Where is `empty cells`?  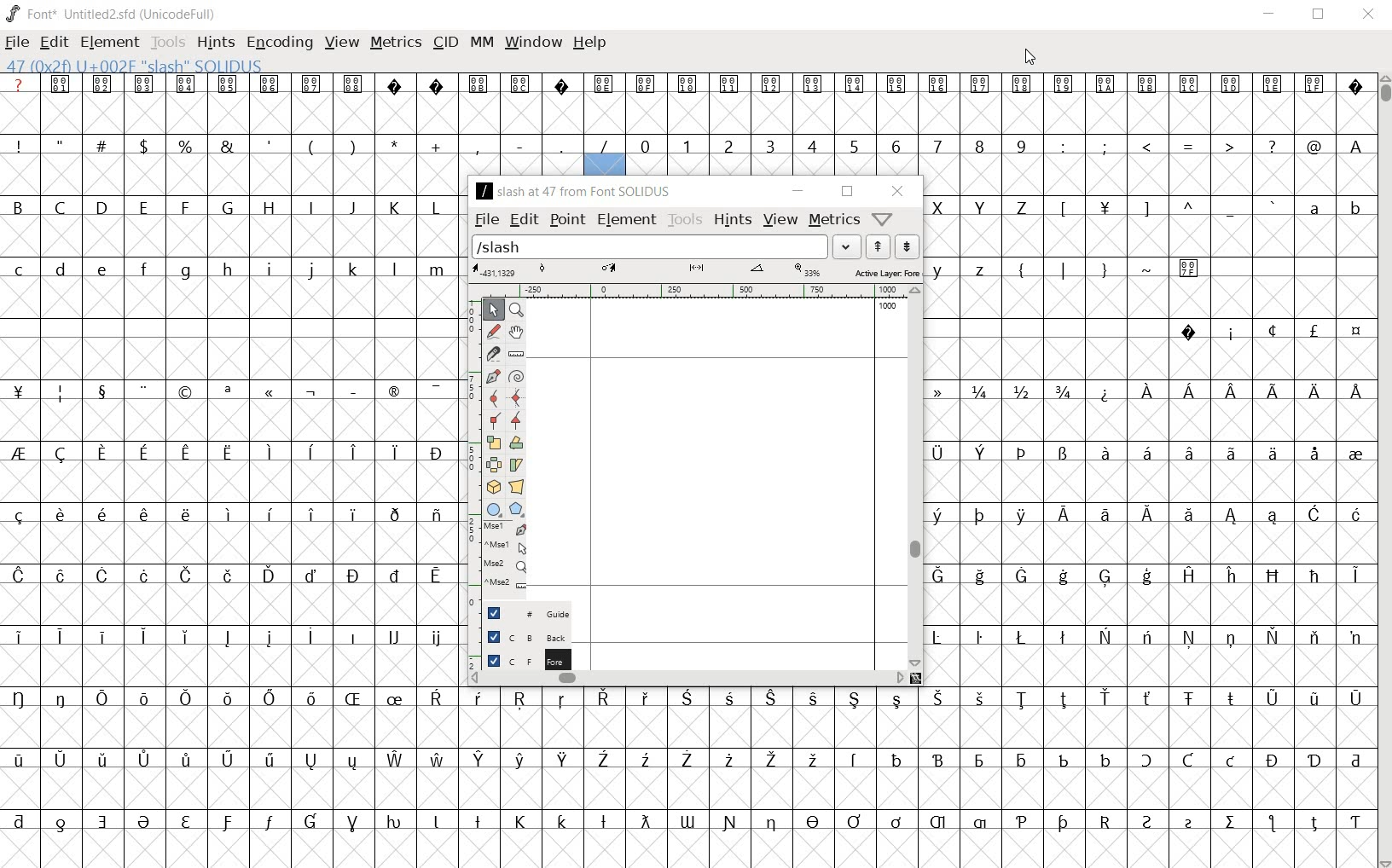
empty cells is located at coordinates (230, 298).